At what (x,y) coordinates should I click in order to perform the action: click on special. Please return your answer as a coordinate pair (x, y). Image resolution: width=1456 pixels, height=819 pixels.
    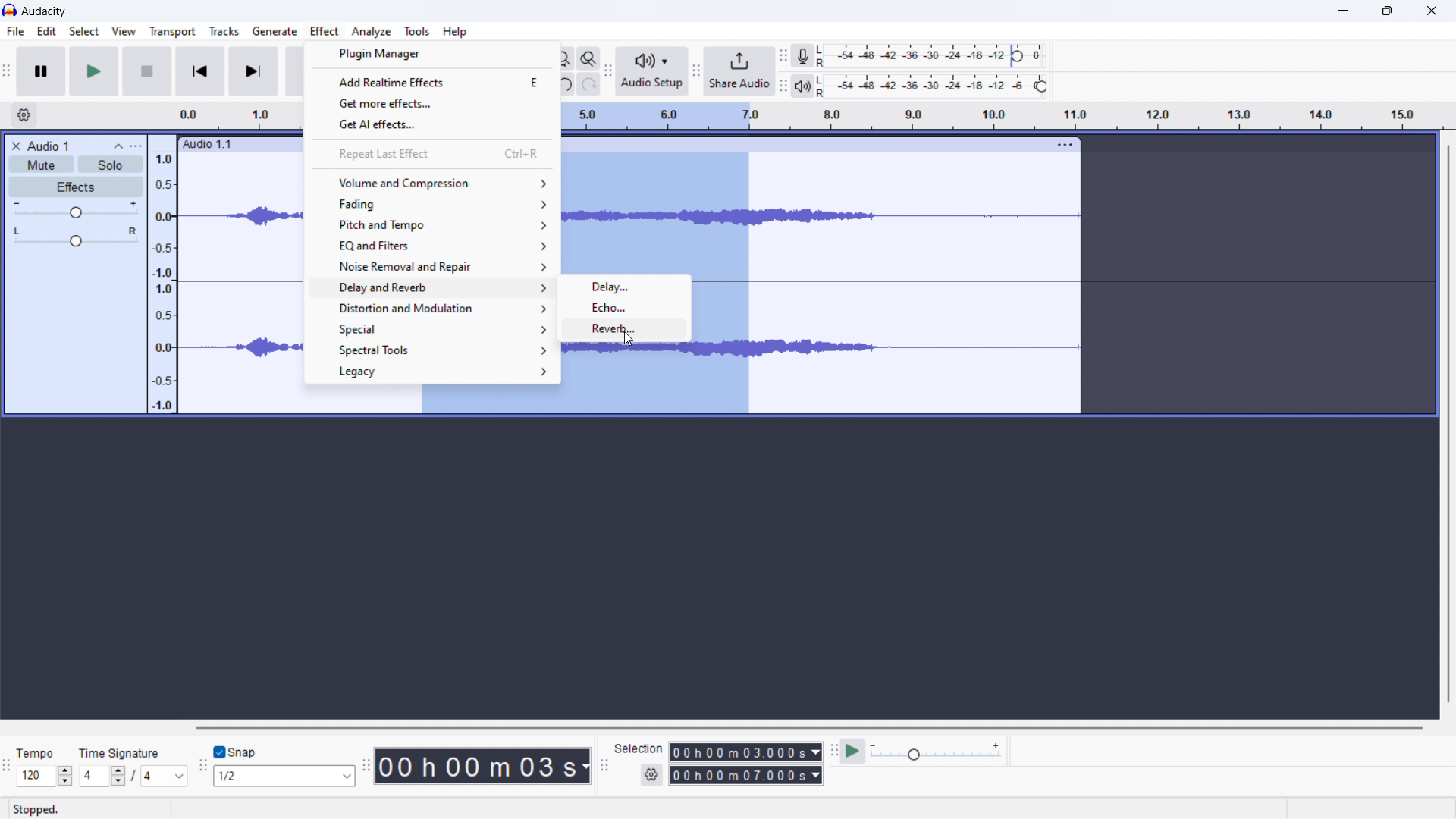
    Looking at the image, I should click on (431, 328).